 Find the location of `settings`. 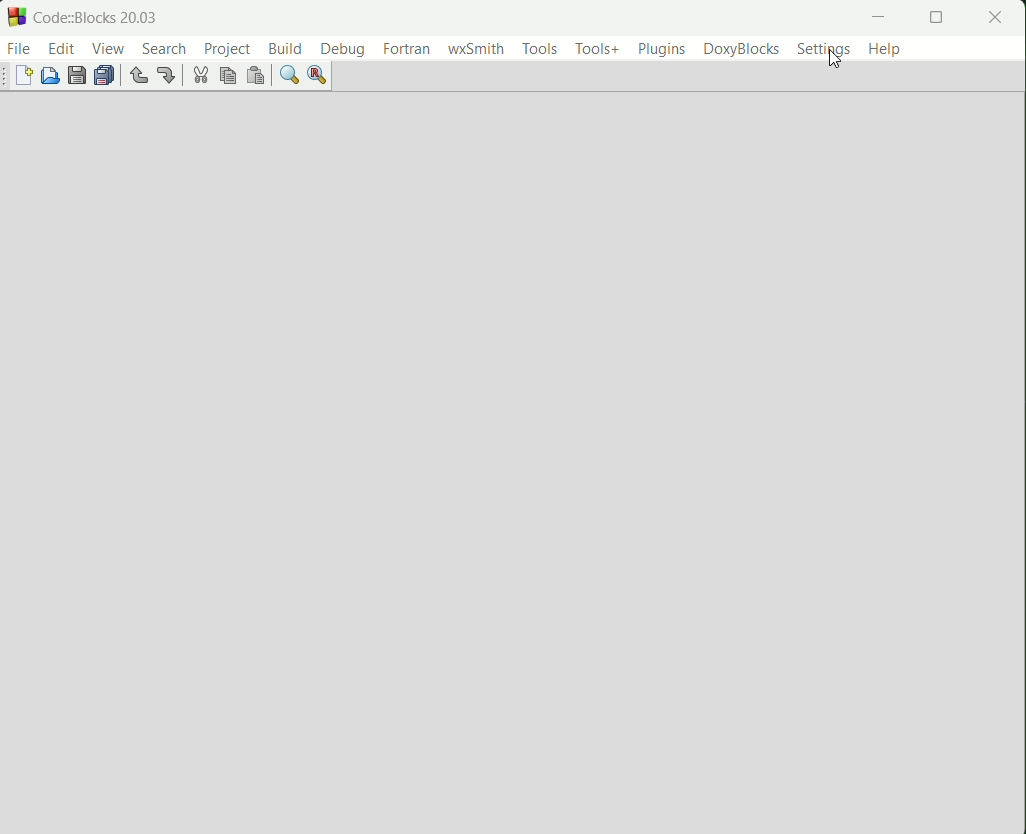

settings is located at coordinates (826, 54).